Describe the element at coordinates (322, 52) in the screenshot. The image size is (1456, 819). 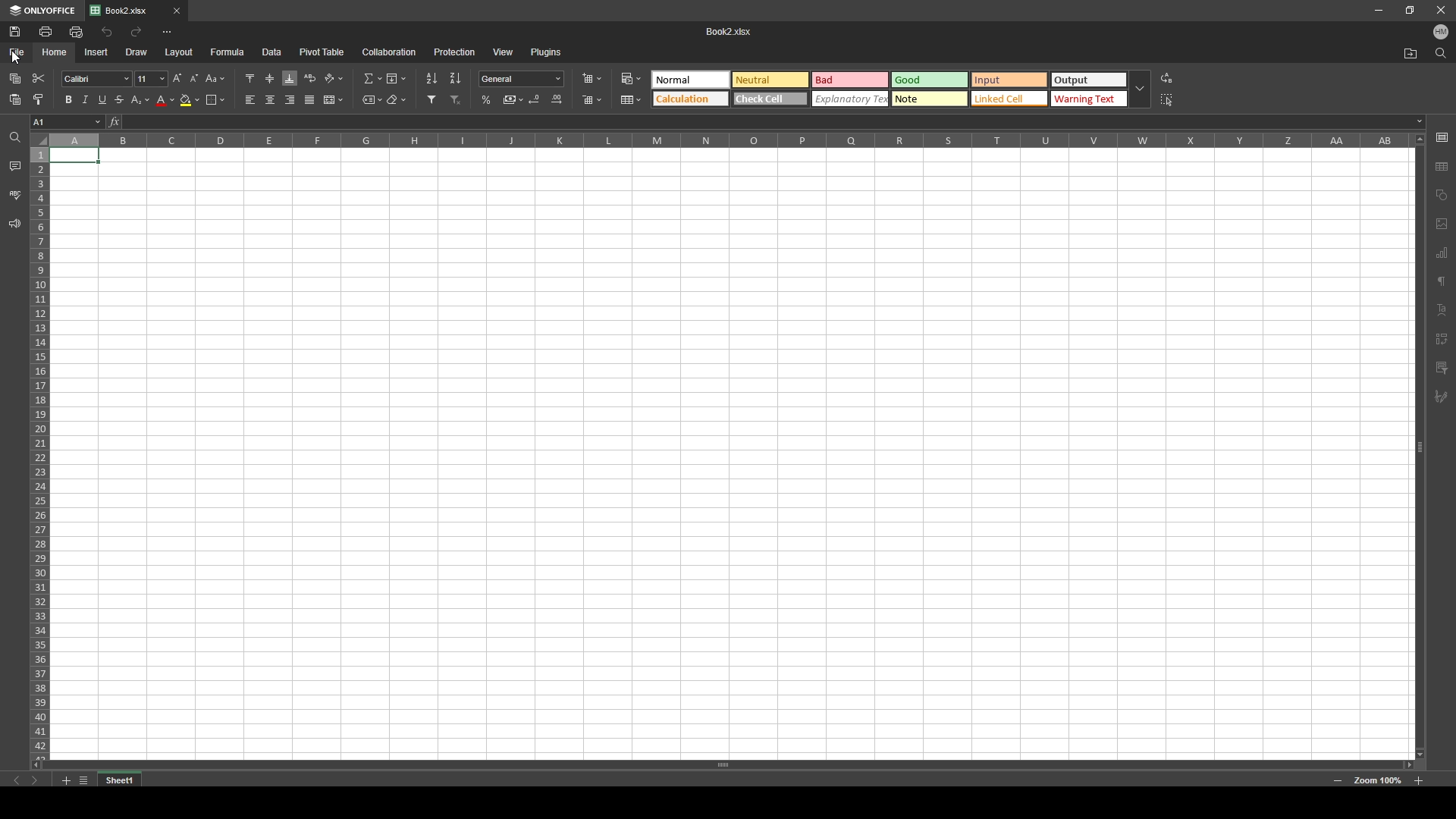
I see `pivot table` at that location.